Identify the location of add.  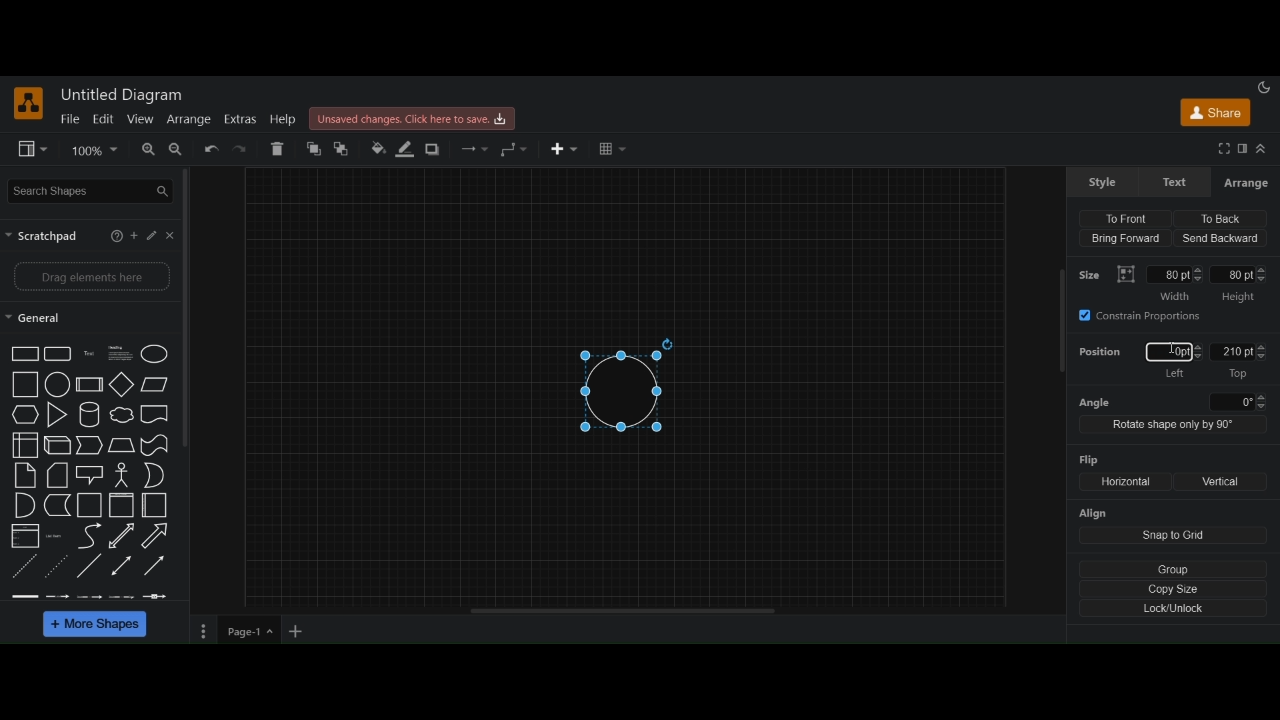
(136, 236).